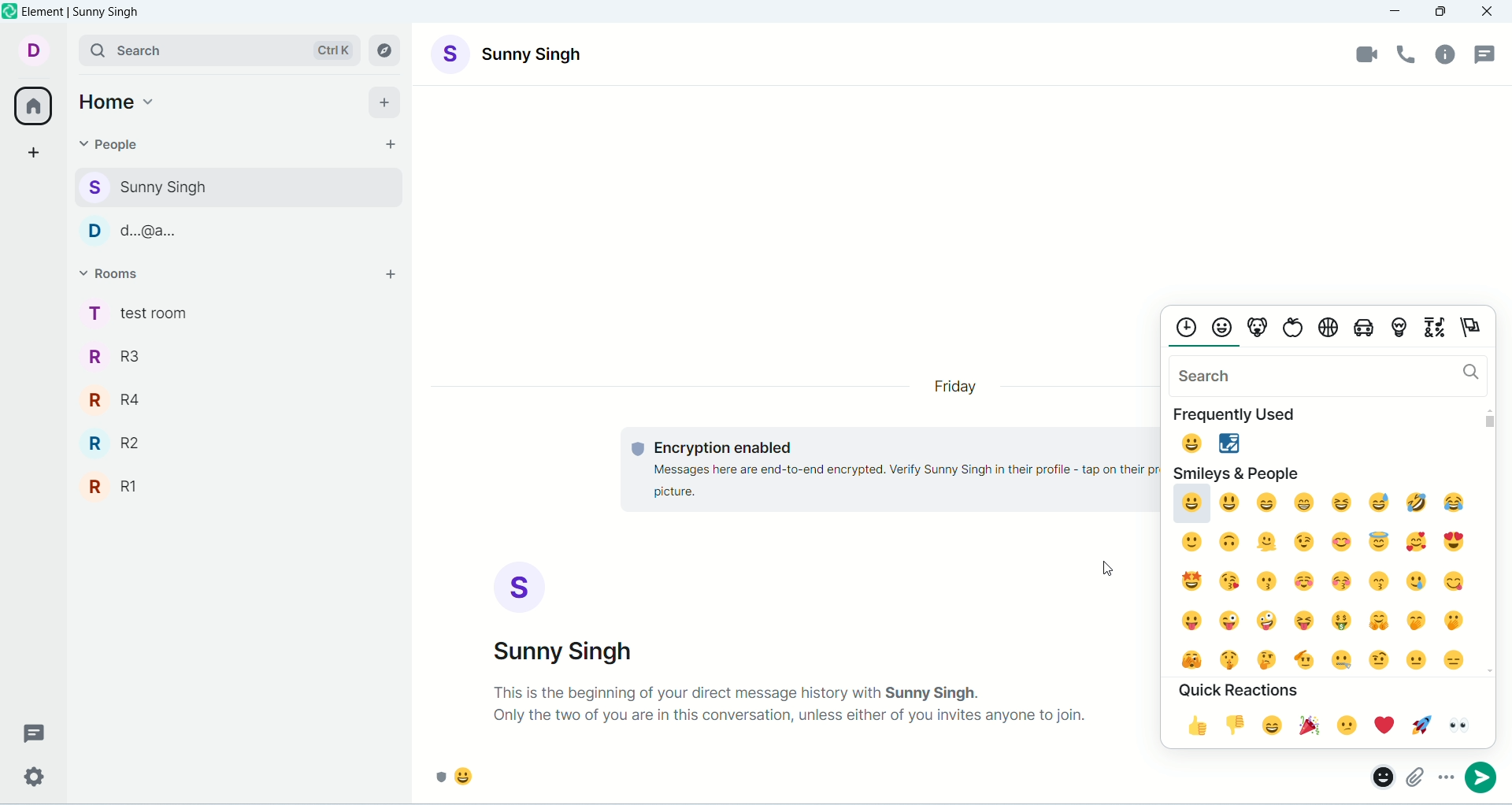  What do you see at coordinates (1488, 777) in the screenshot?
I see `send` at bounding box center [1488, 777].